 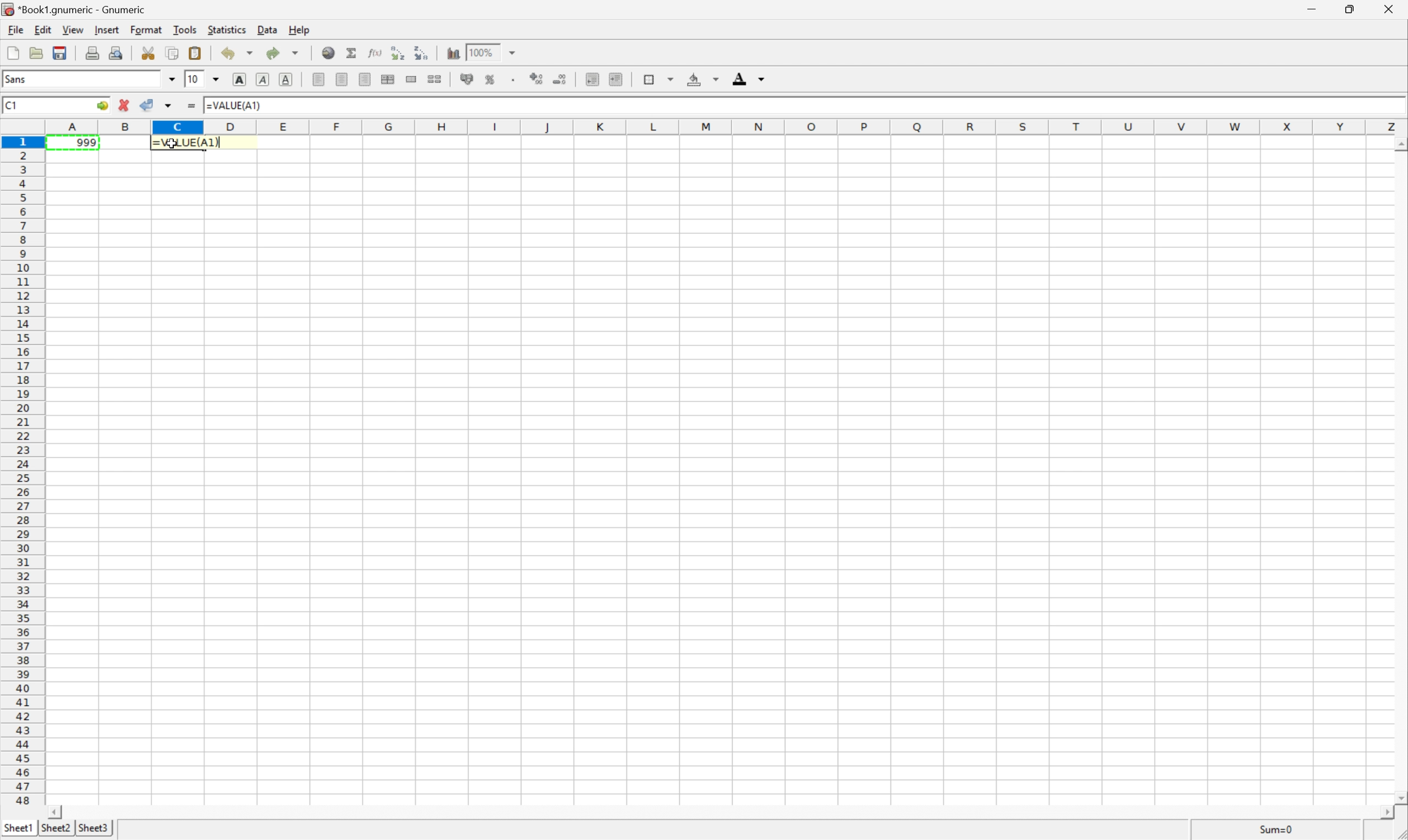 What do you see at coordinates (499, 52) in the screenshot?
I see `Zoom` at bounding box center [499, 52].